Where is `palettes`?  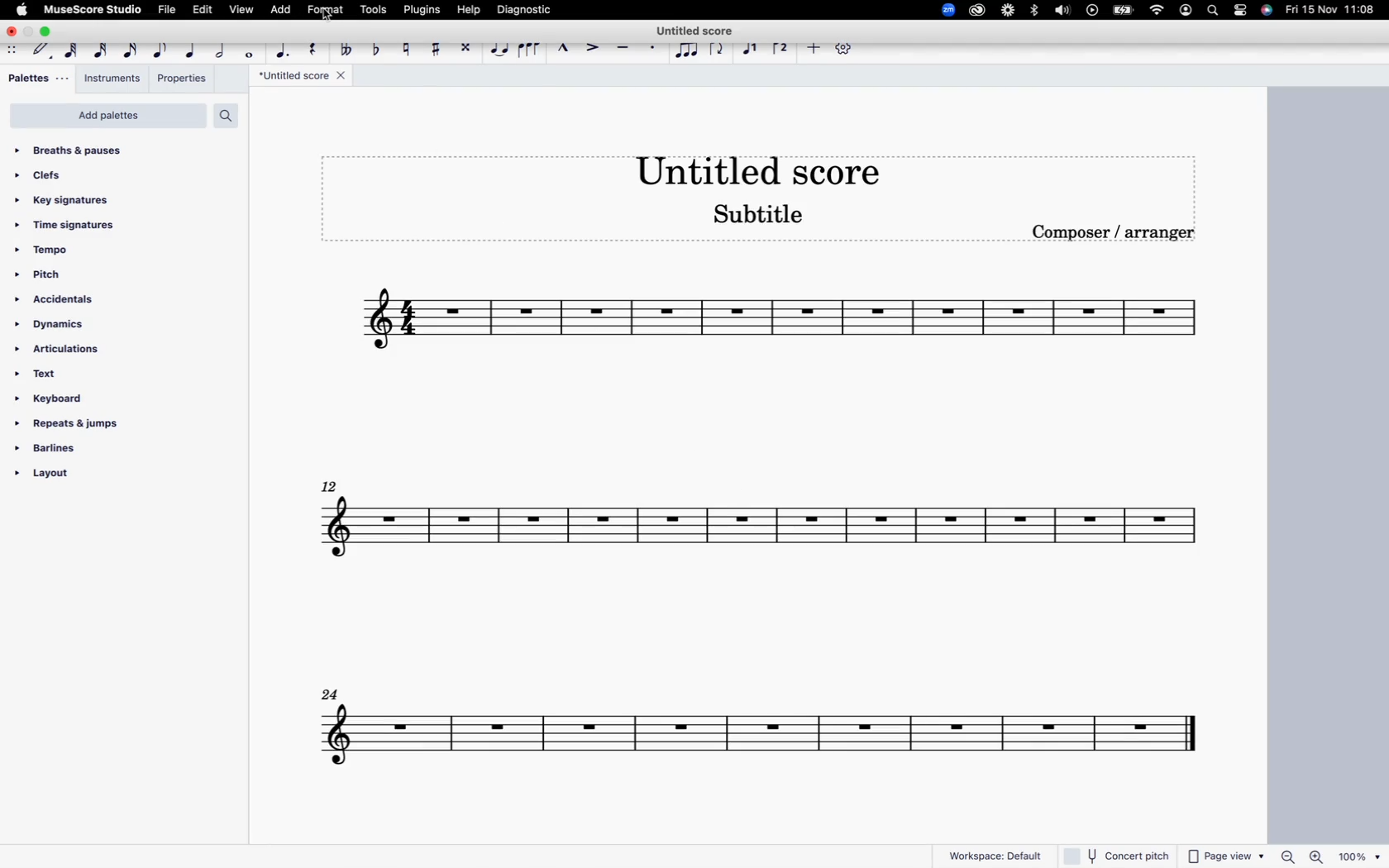
palettes is located at coordinates (36, 79).